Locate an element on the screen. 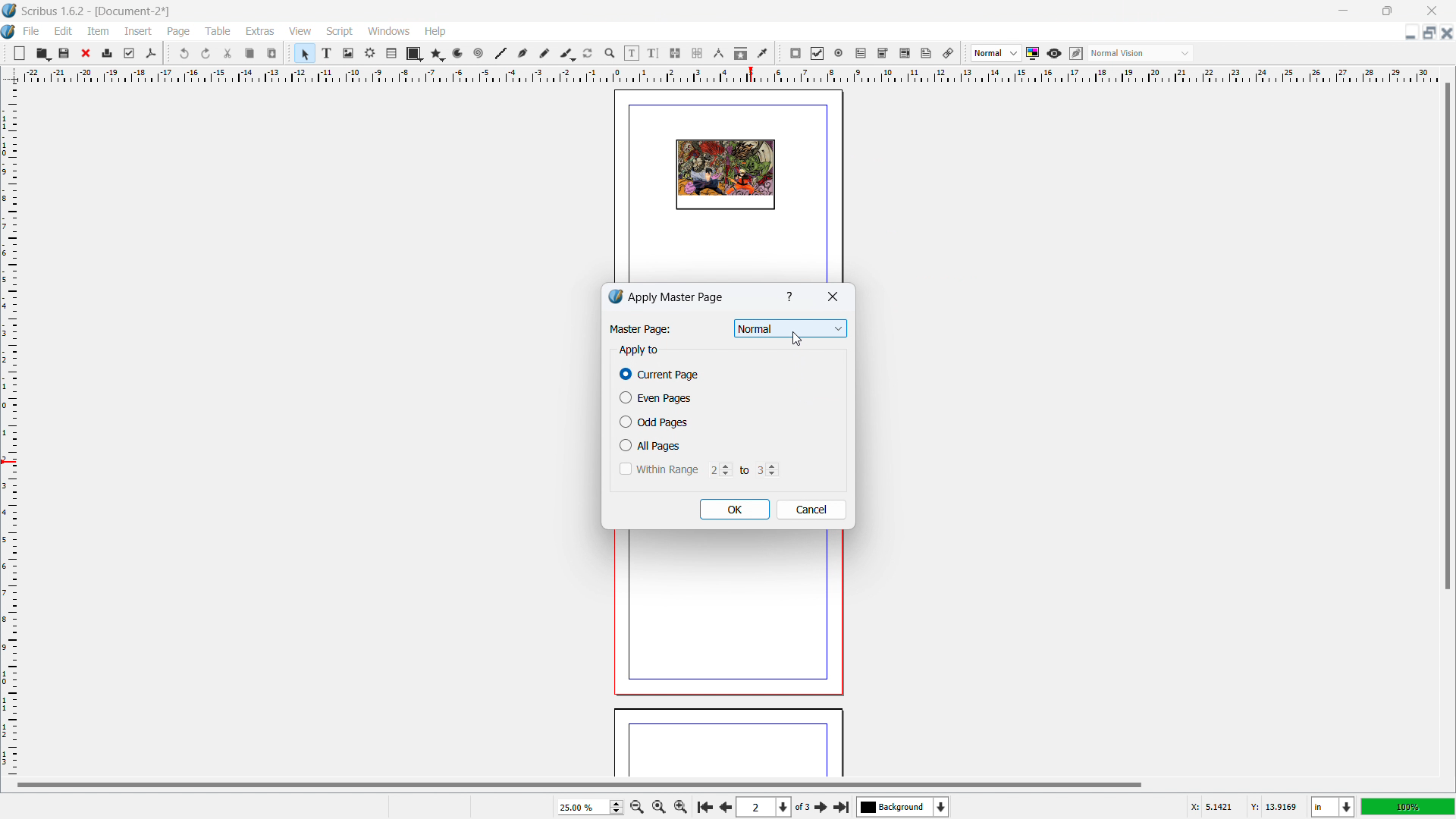 This screenshot has width=1456, height=819. move toolbox is located at coordinates (290, 52).